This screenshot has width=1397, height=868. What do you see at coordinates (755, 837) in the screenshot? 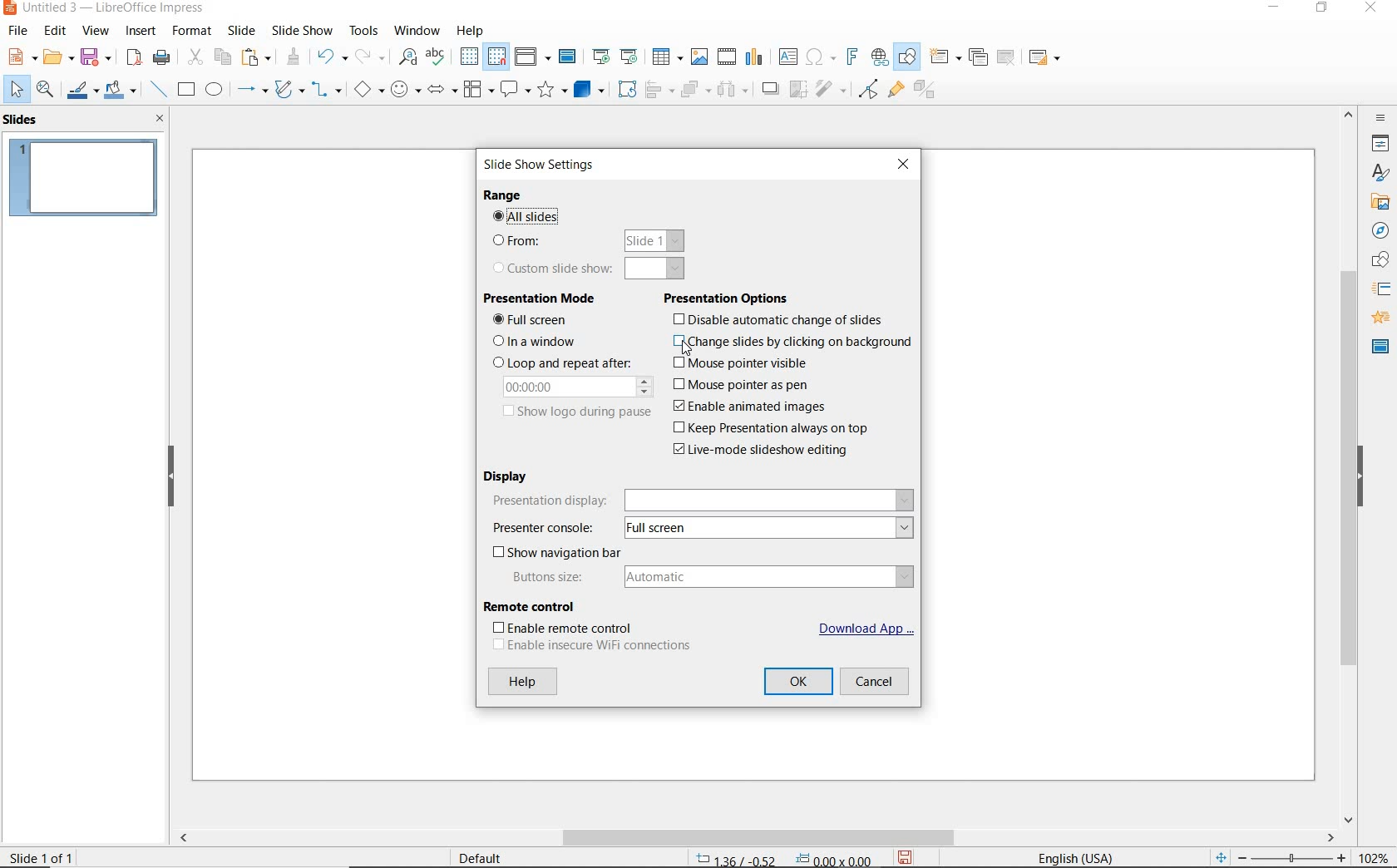
I see `SCROLLBAR` at bounding box center [755, 837].